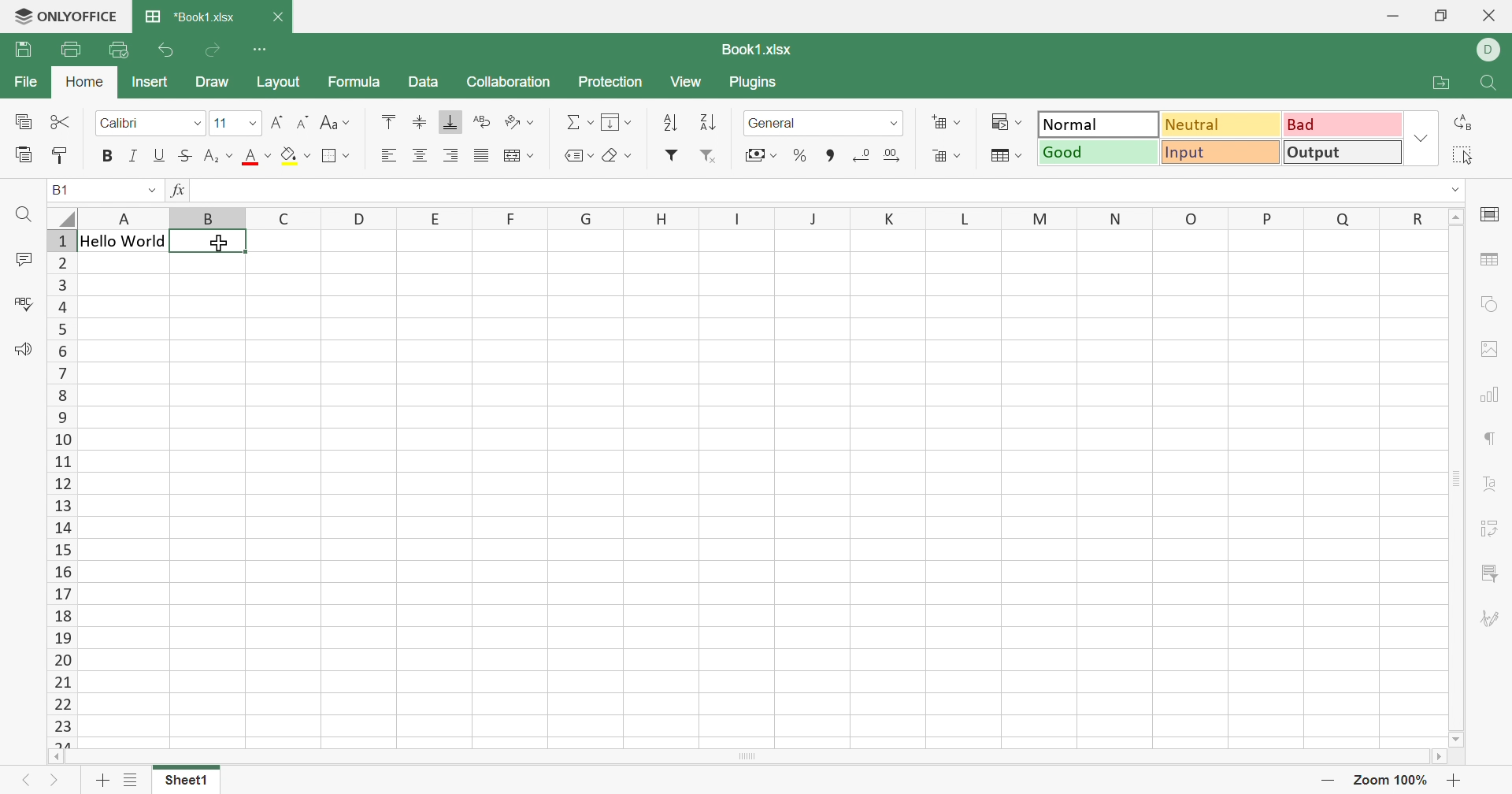 This screenshot has height=794, width=1512. I want to click on Summation, so click(580, 123).